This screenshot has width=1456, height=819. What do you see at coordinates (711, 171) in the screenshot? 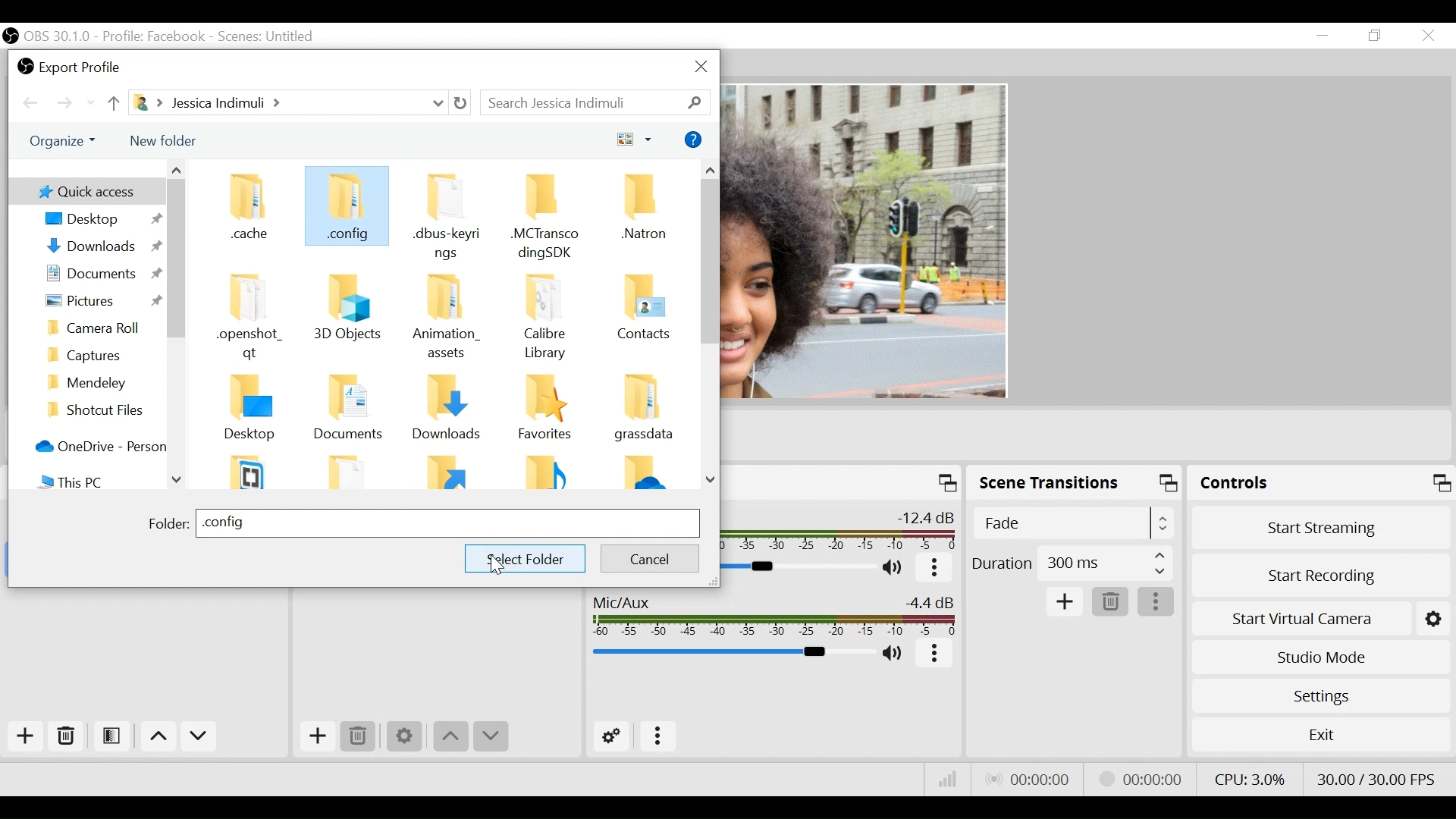
I see `Scroll up` at bounding box center [711, 171].